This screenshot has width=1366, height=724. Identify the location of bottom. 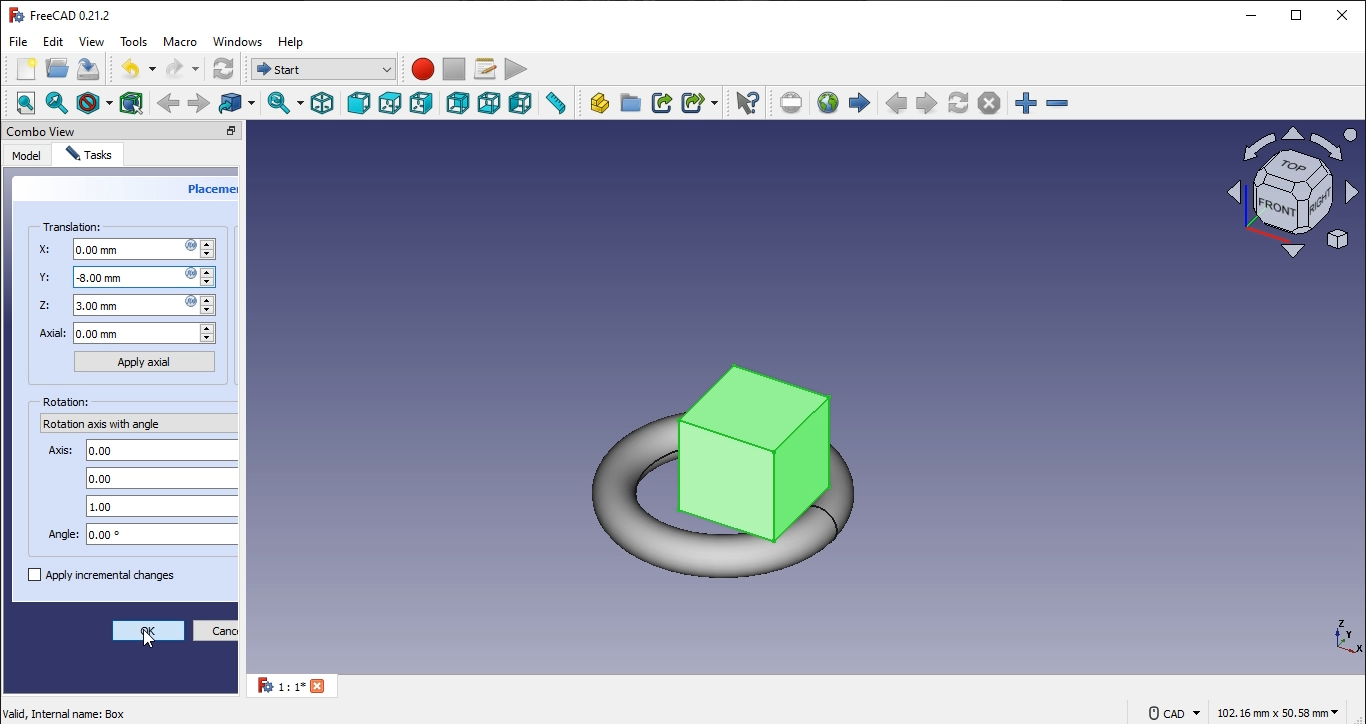
(487, 104).